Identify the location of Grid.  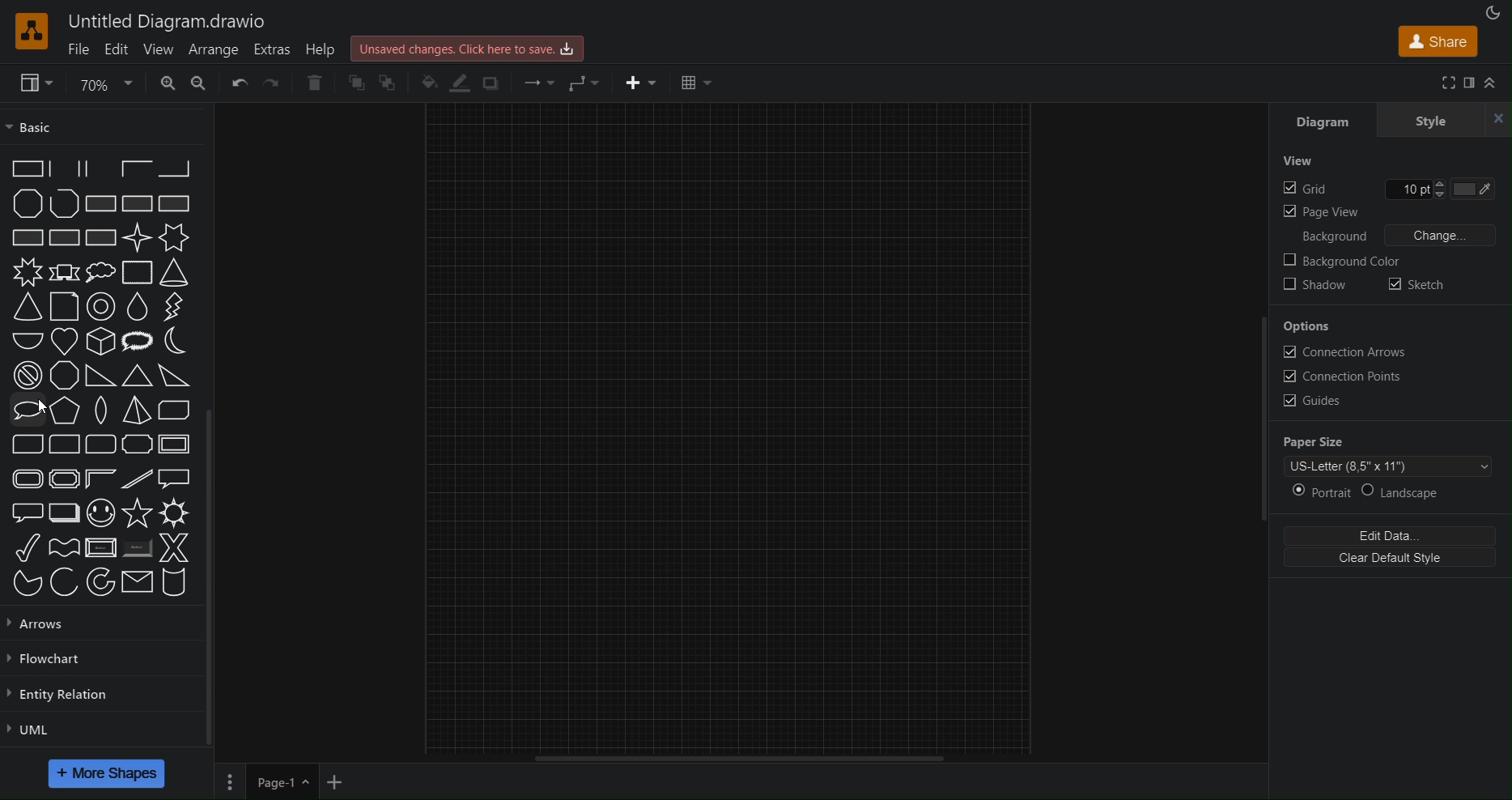
(1304, 188).